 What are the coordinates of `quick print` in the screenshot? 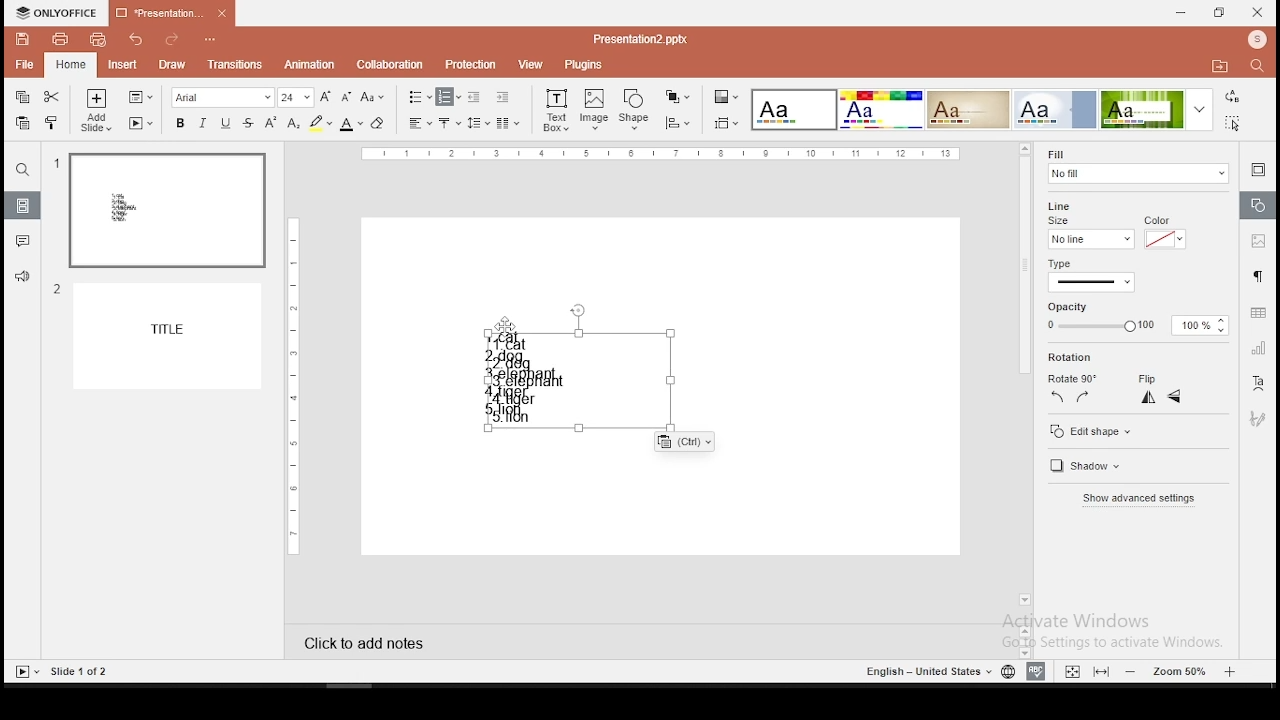 It's located at (97, 39).